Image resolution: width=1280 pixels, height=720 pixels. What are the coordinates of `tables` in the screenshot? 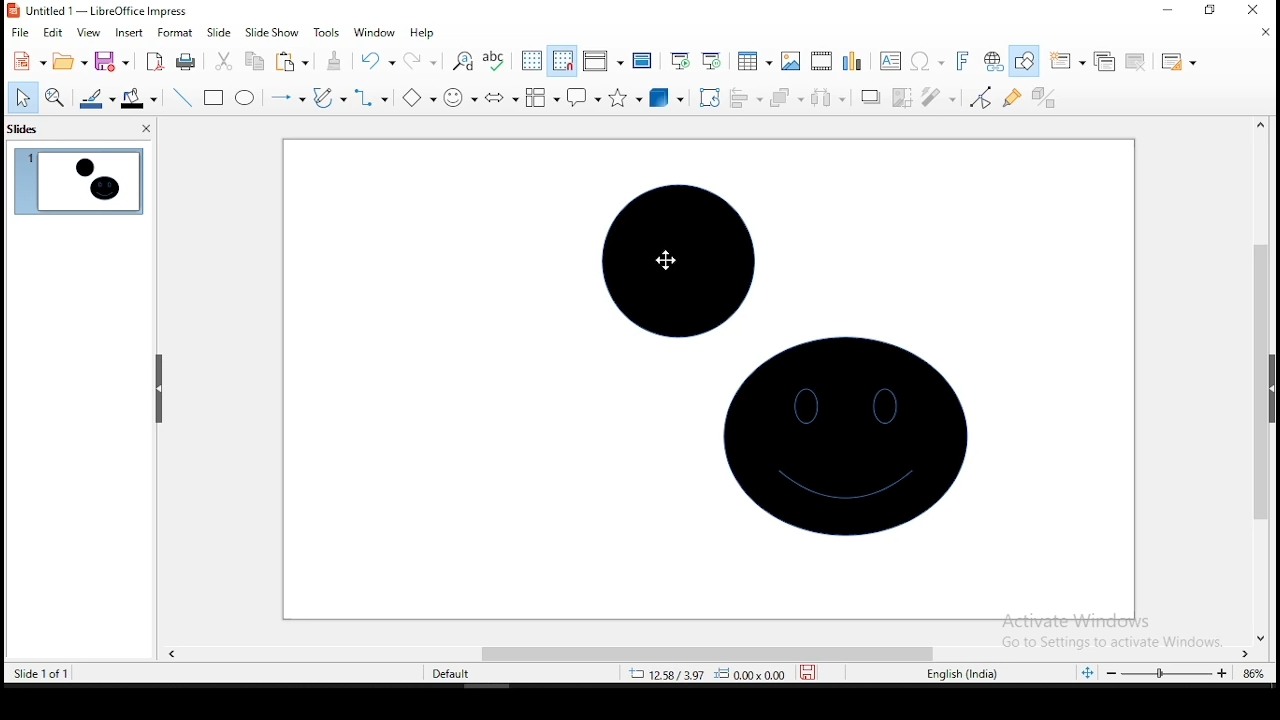 It's located at (754, 64).